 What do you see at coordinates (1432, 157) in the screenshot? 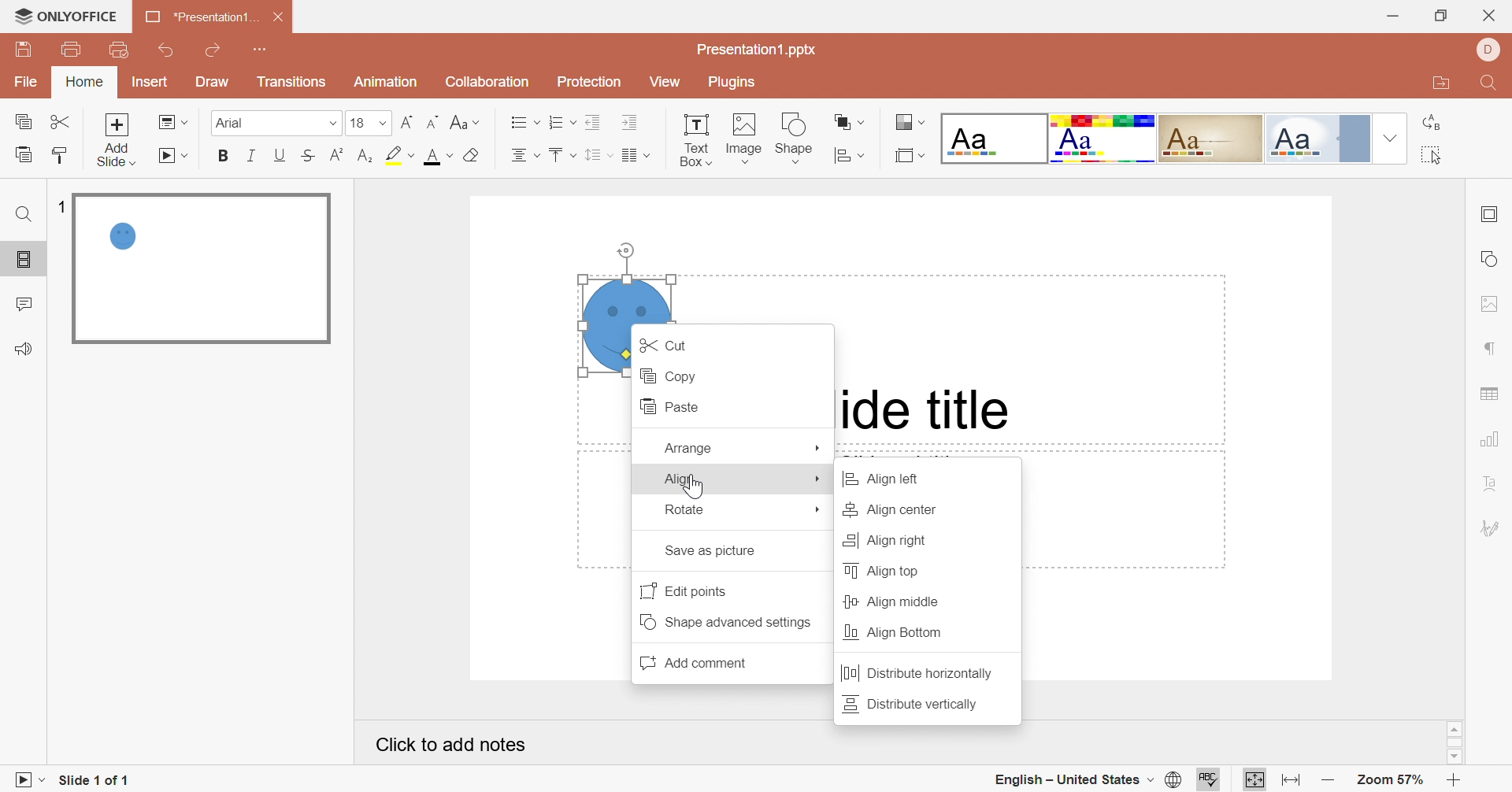
I see `Select all` at bounding box center [1432, 157].